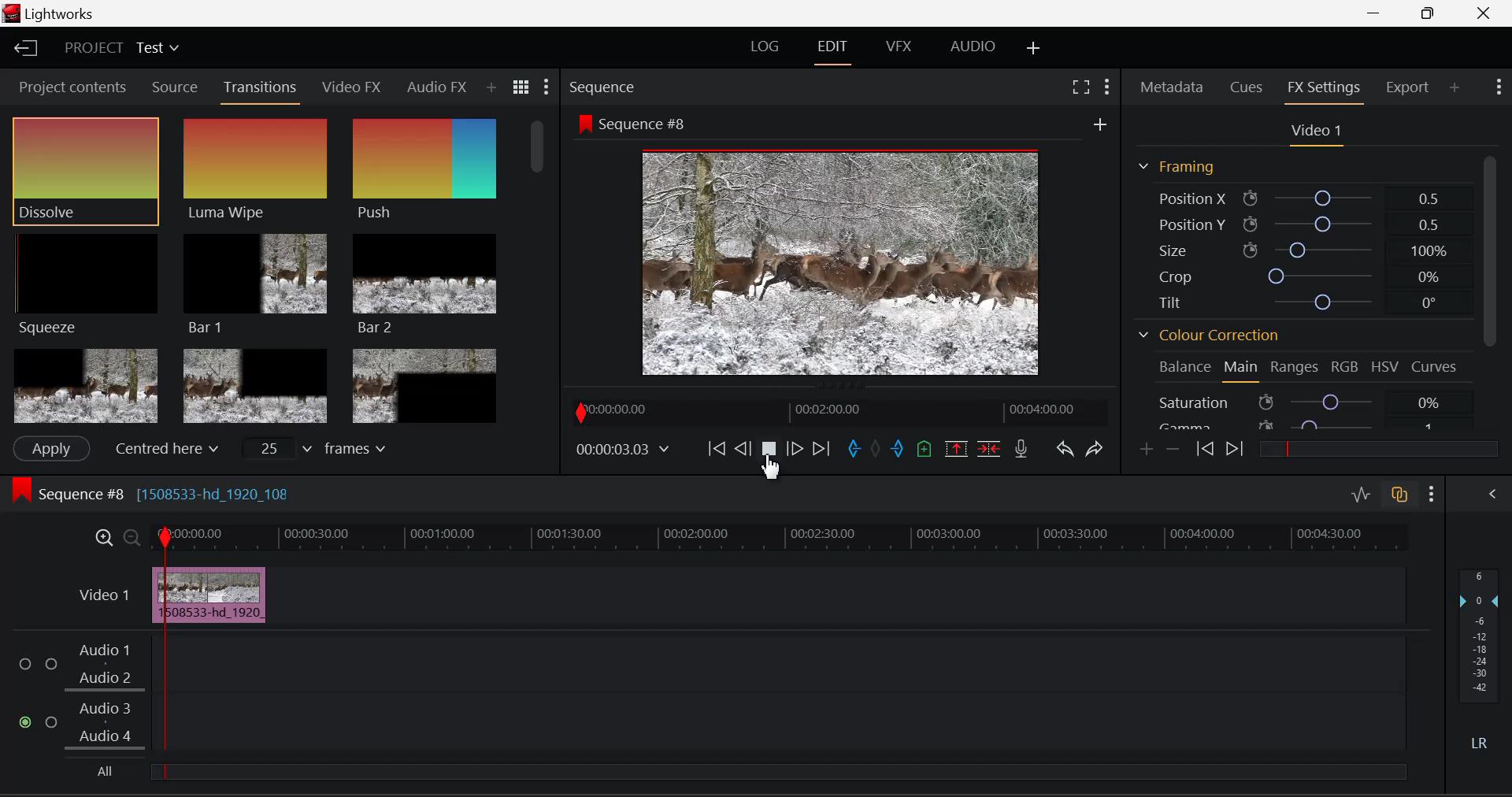 Image resolution: width=1512 pixels, height=797 pixels. What do you see at coordinates (255, 384) in the screenshot?
I see `Box 2` at bounding box center [255, 384].